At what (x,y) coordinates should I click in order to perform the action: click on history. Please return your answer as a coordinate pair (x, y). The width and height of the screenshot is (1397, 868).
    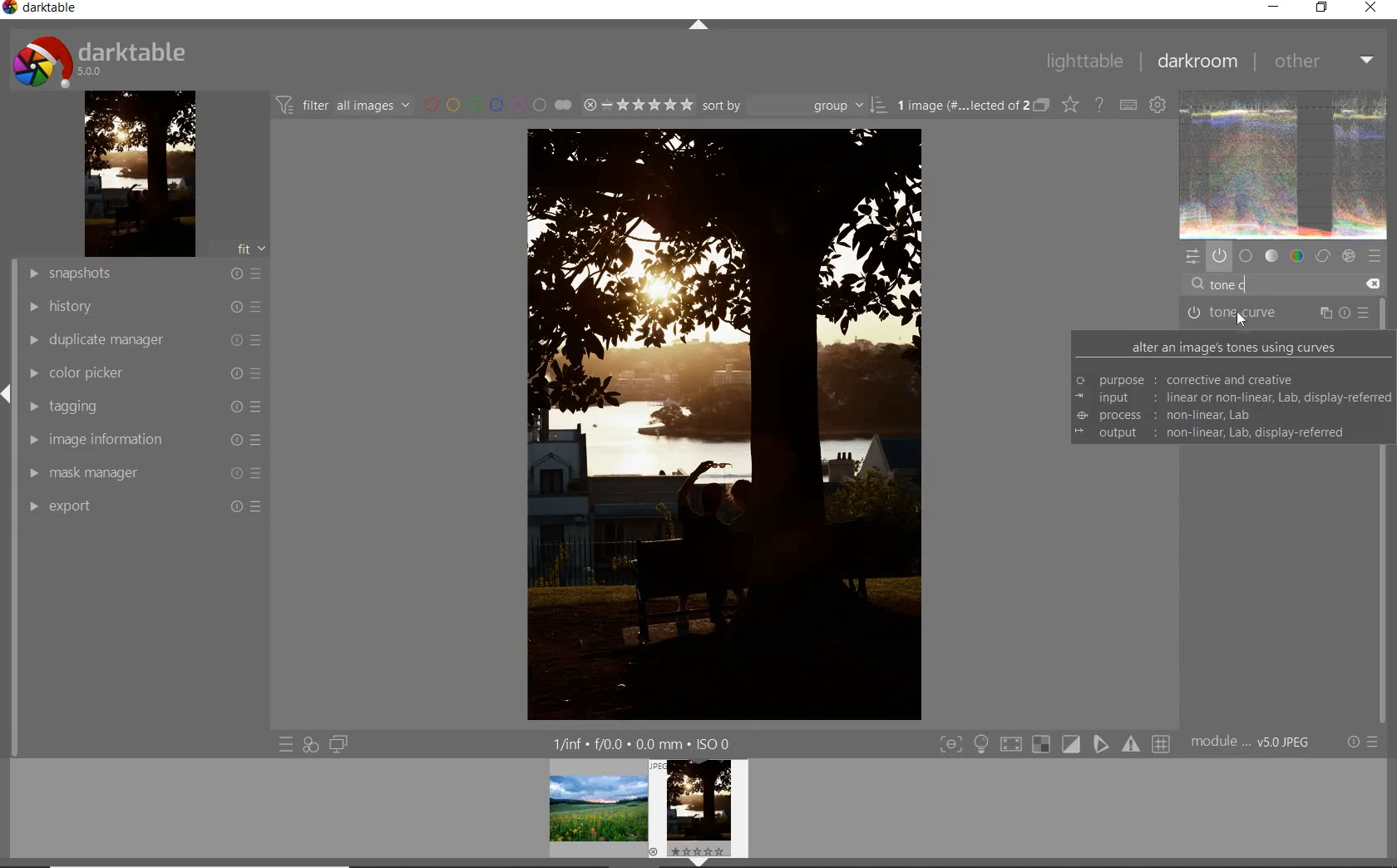
    Looking at the image, I should click on (140, 307).